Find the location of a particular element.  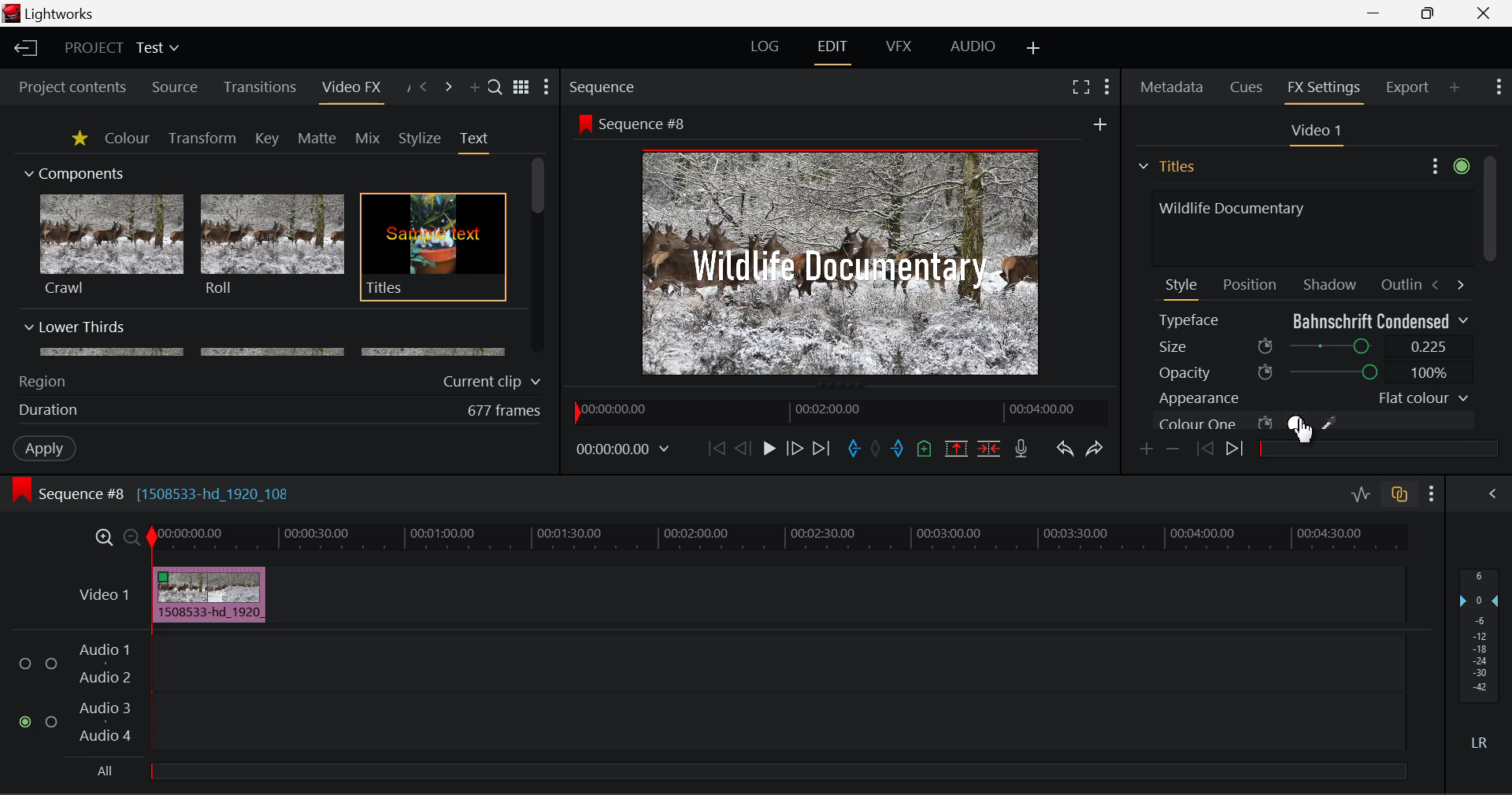

Metadata is located at coordinates (1173, 89).